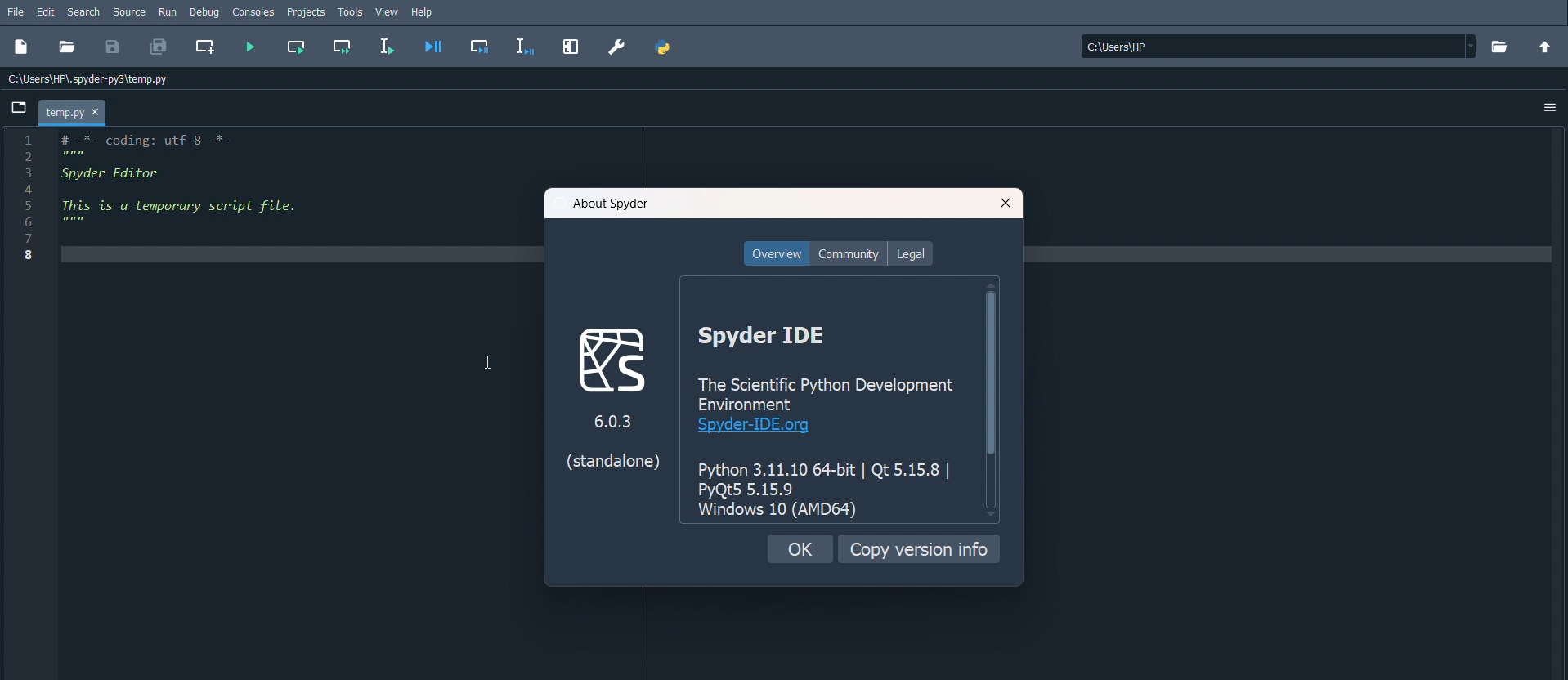 This screenshot has height=680, width=1568. I want to click on cross, so click(95, 112).